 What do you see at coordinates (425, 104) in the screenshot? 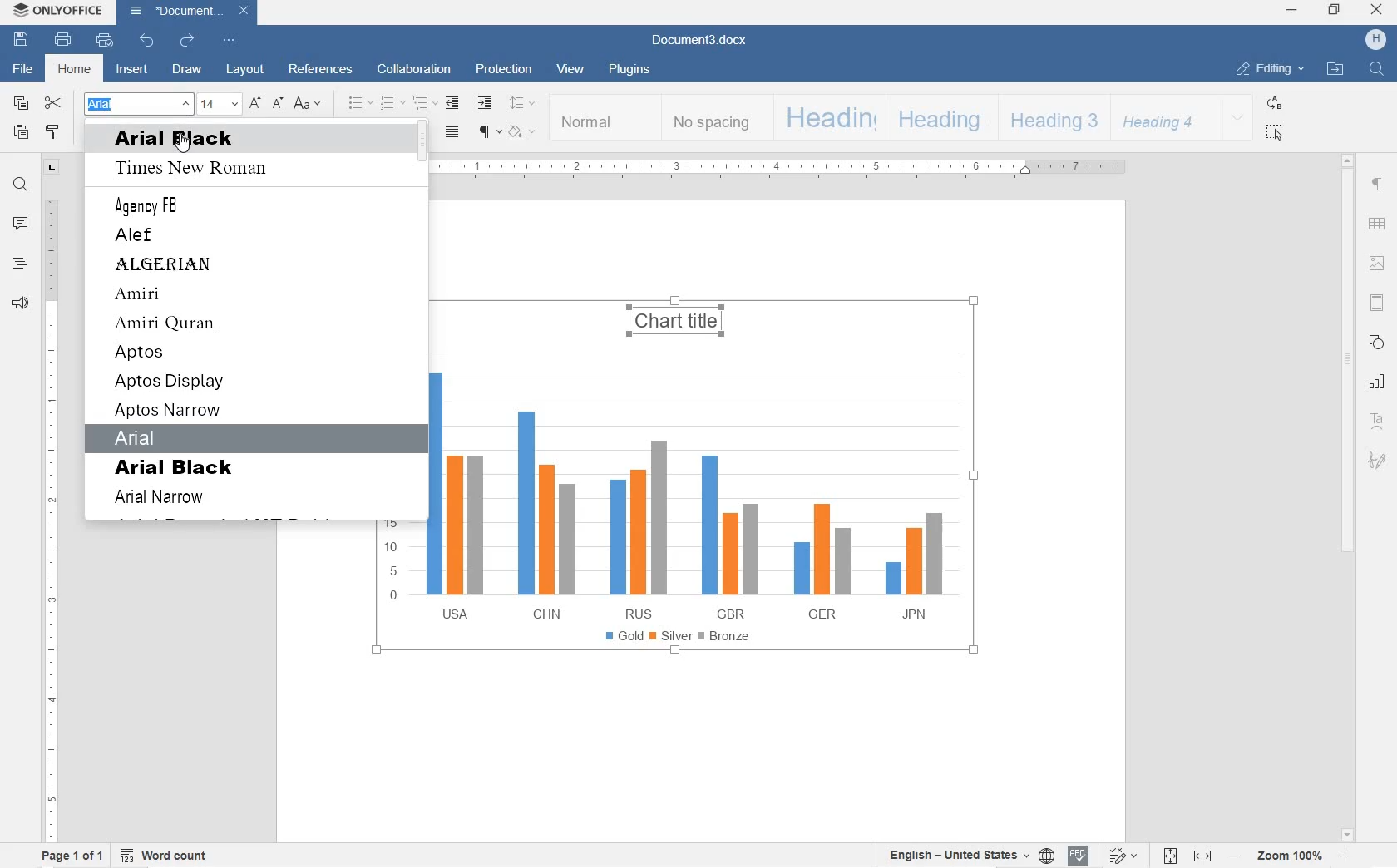
I see `MULTILEVEL LISTS` at bounding box center [425, 104].